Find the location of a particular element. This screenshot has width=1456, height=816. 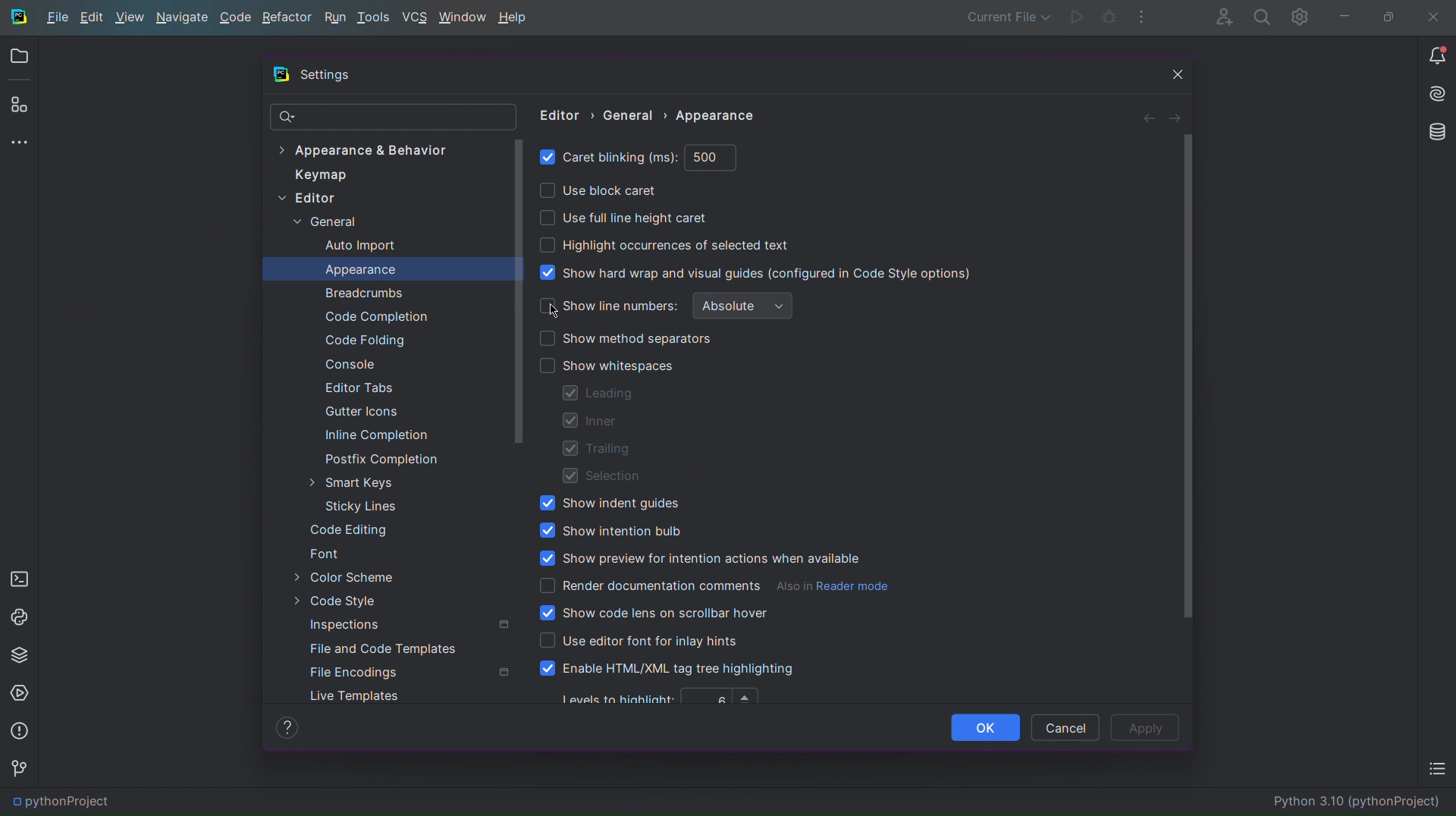

Inline Completion is located at coordinates (375, 437).